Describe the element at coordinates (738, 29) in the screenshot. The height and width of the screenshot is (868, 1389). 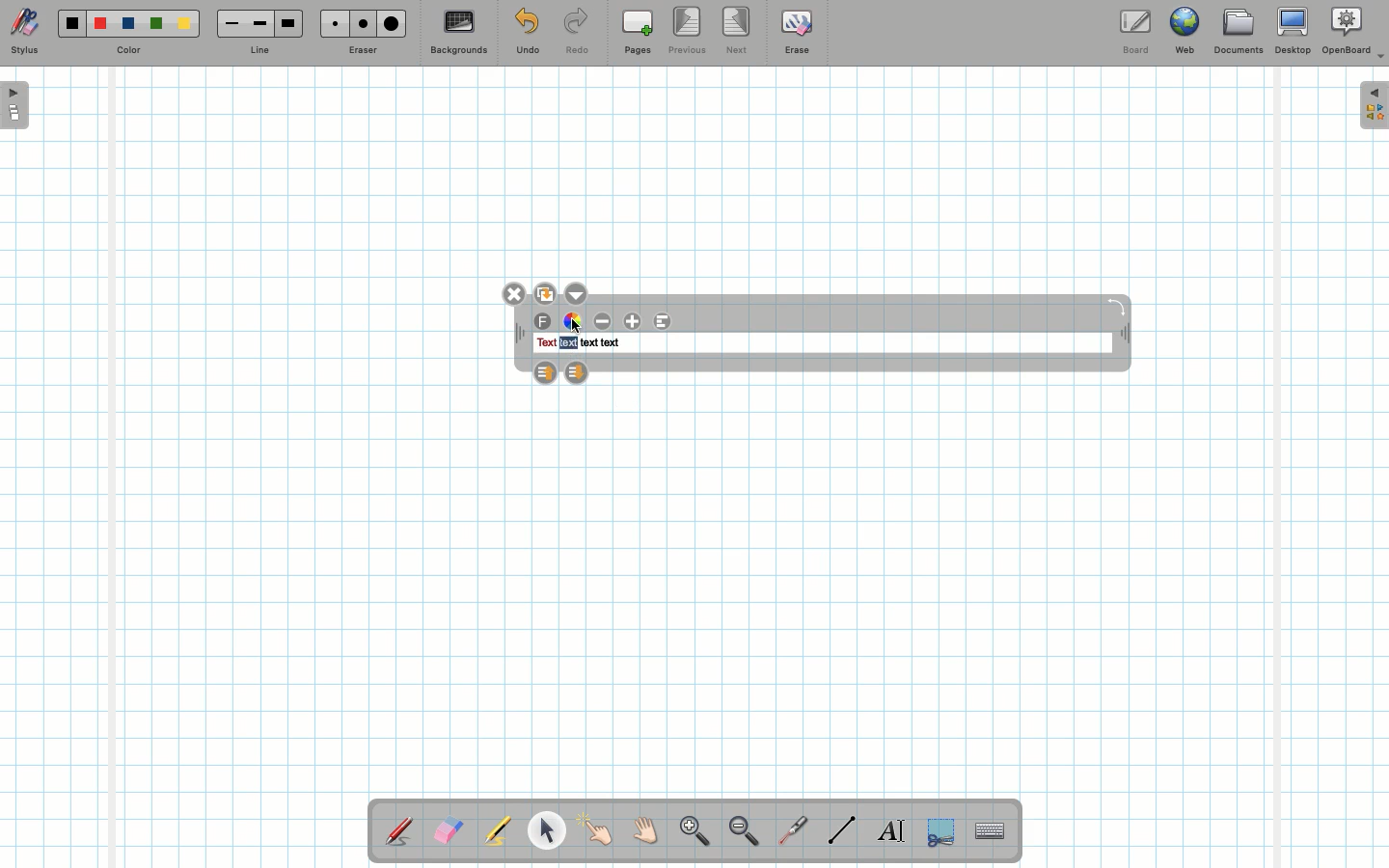
I see `Next` at that location.